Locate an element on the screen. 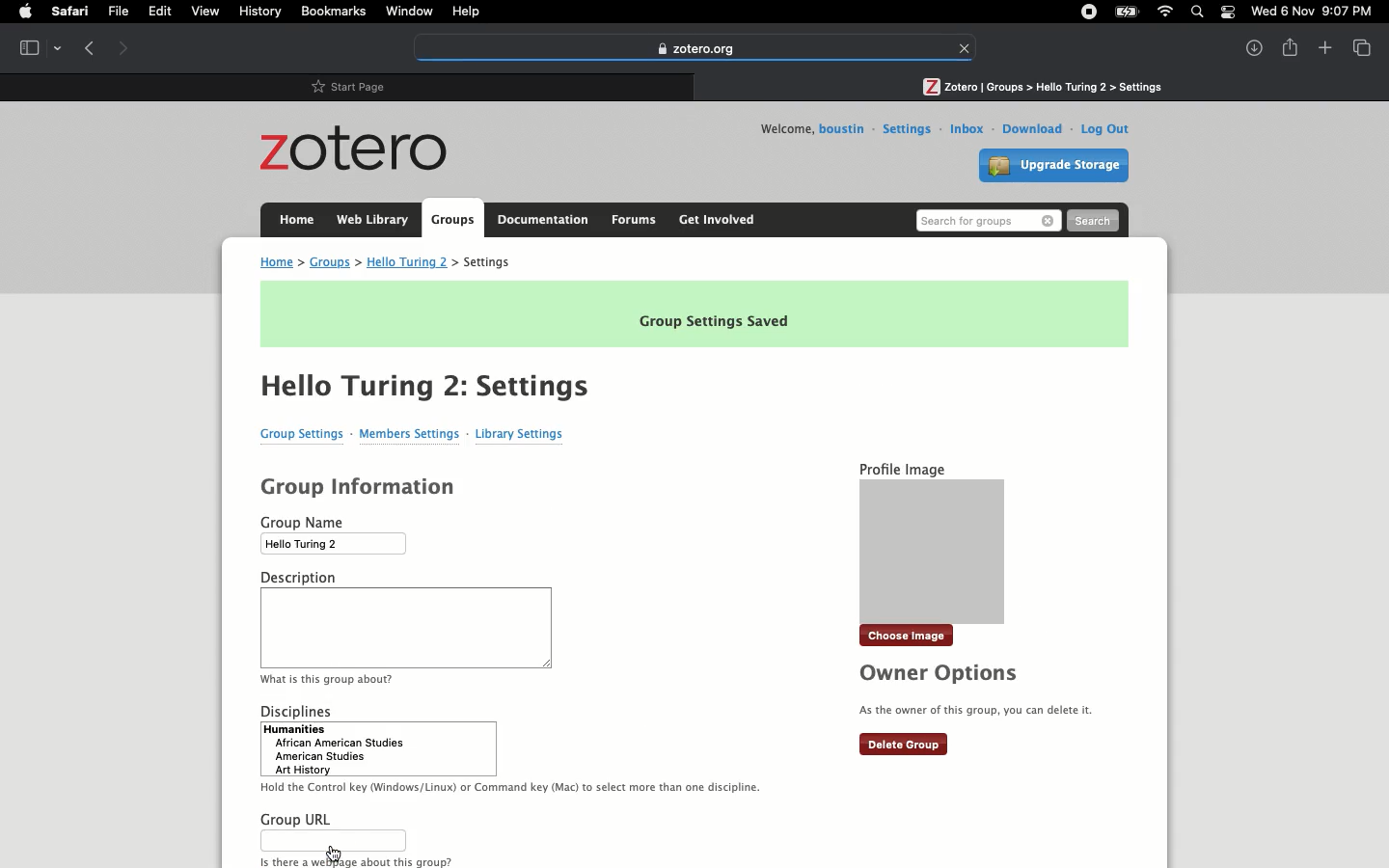 The image size is (1389, 868). Library settings is located at coordinates (520, 434).